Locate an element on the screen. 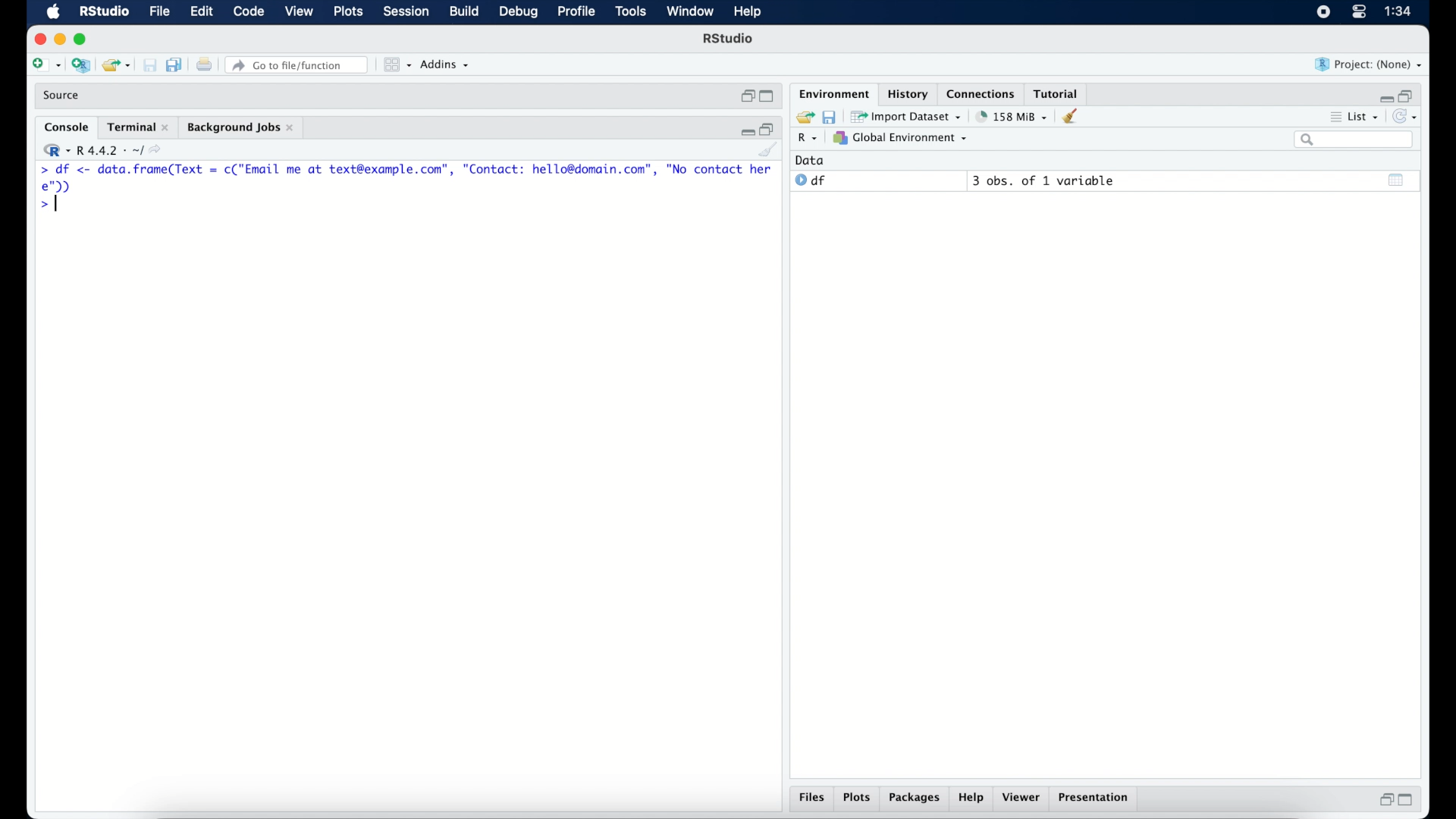 The height and width of the screenshot is (819, 1456). create new project is located at coordinates (80, 64).